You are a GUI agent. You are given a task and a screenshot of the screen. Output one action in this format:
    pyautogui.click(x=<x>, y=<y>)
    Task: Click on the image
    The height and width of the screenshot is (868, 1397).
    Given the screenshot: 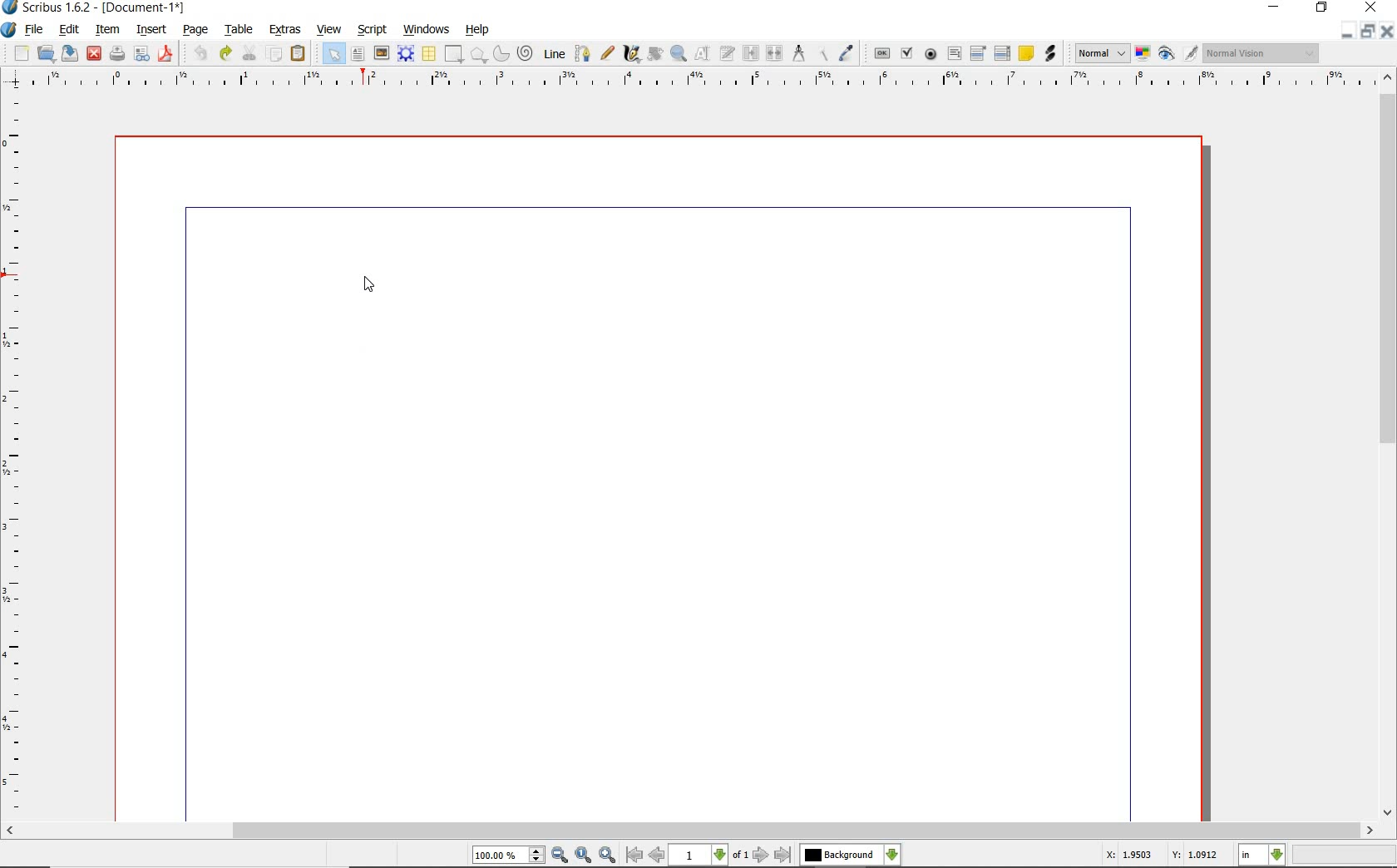 What is the action you would take?
    pyautogui.click(x=382, y=54)
    